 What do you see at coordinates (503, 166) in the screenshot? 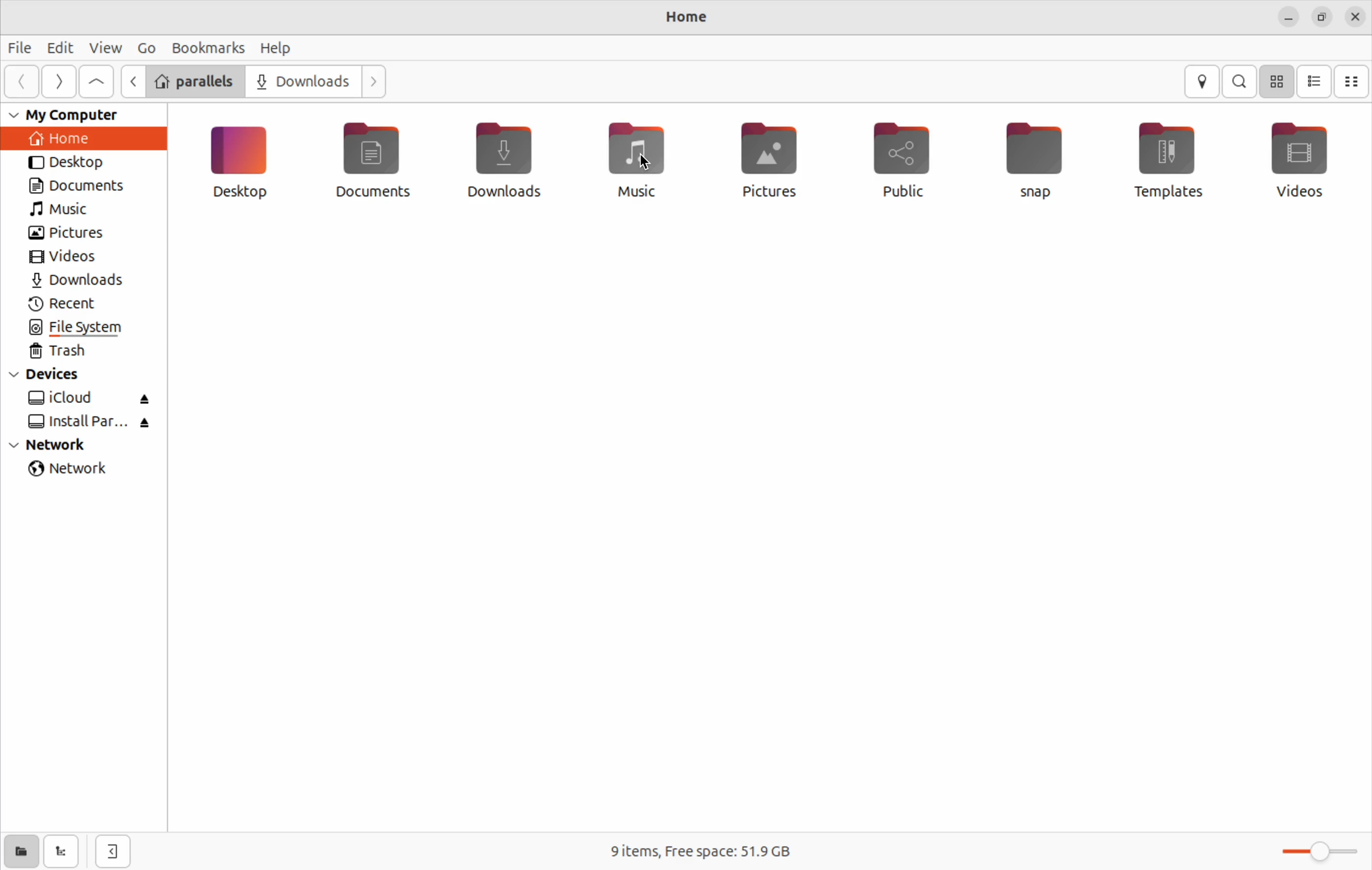
I see `Downloads files` at bounding box center [503, 166].